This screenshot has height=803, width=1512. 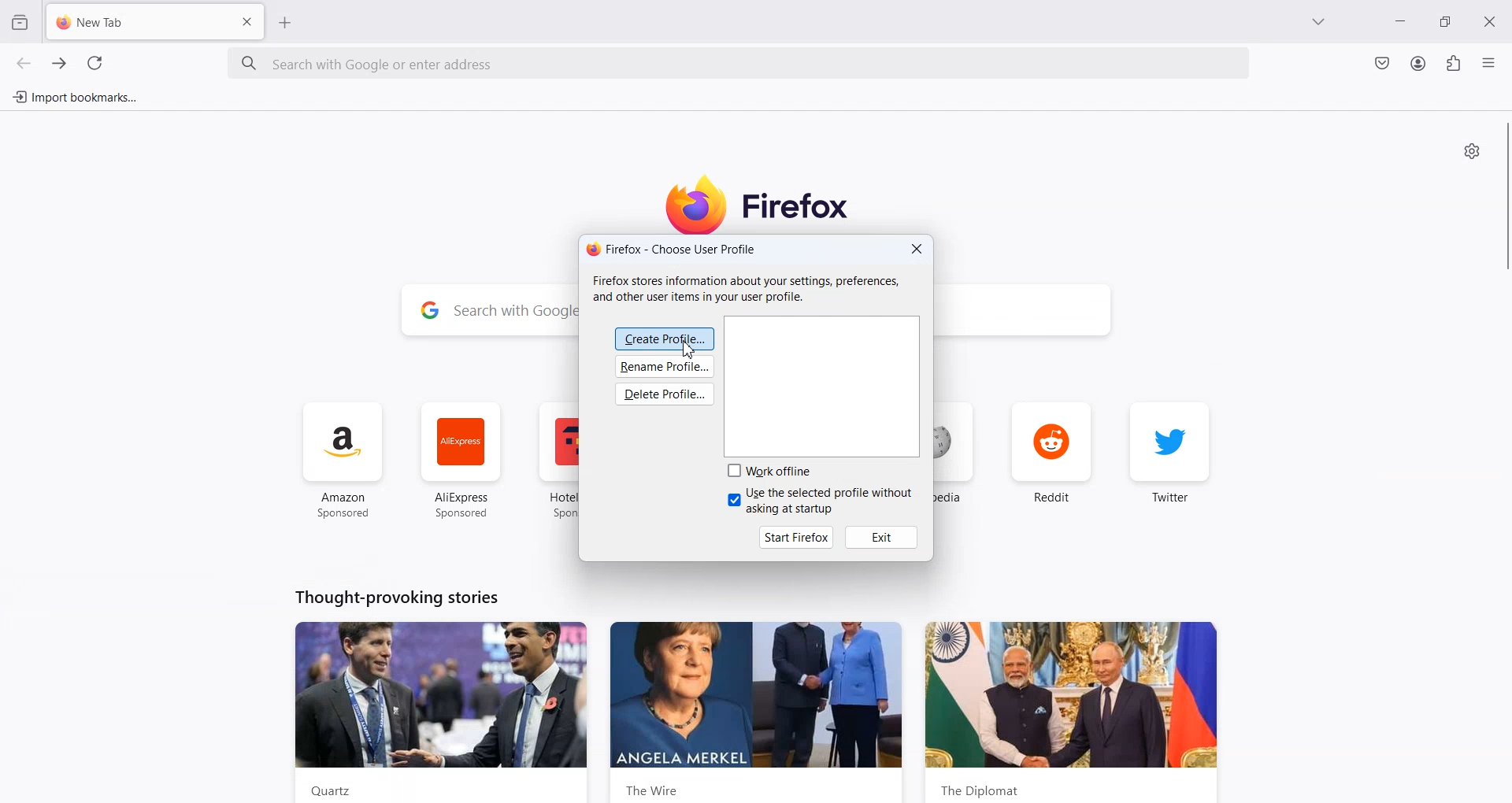 I want to click on Create Profile, so click(x=664, y=338).